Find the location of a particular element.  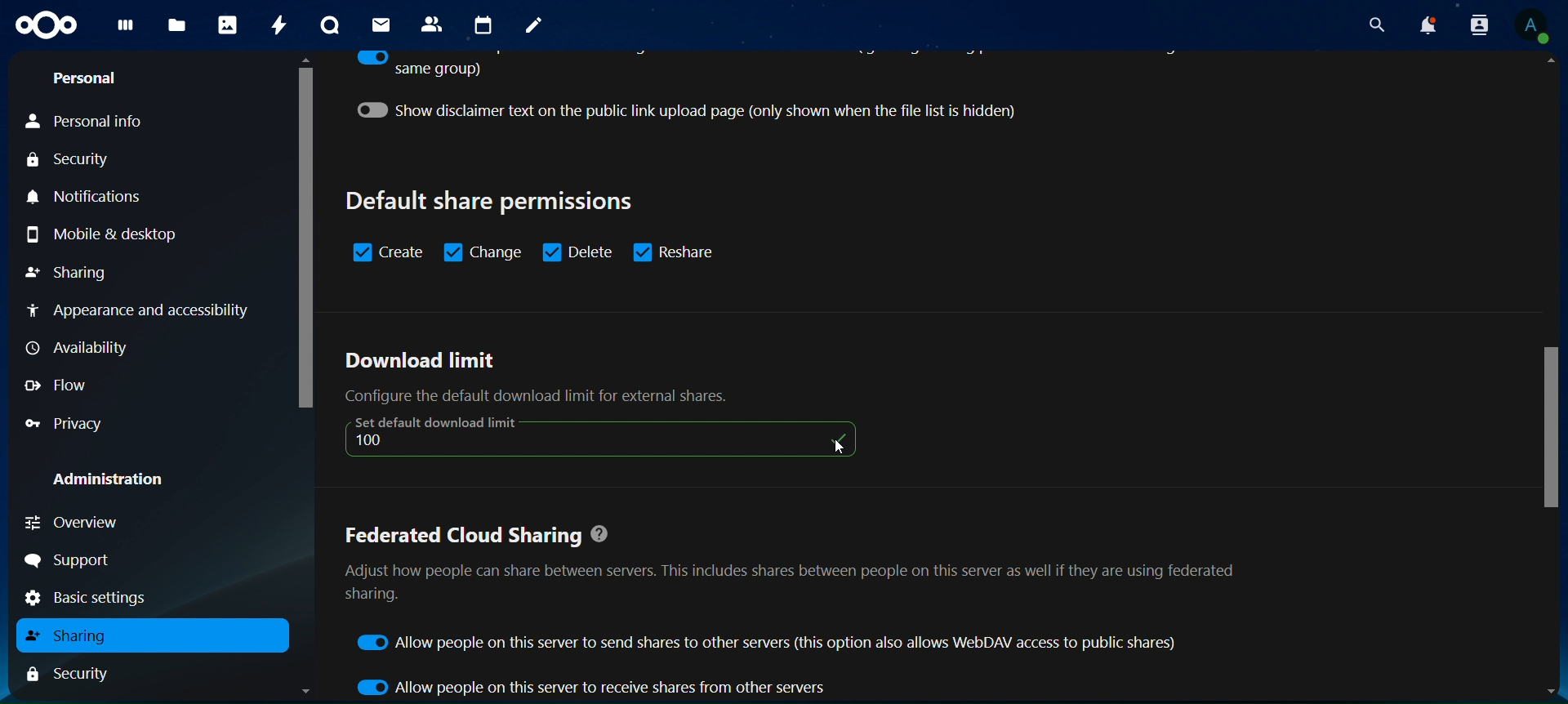

federated cloud sharing is located at coordinates (792, 570).